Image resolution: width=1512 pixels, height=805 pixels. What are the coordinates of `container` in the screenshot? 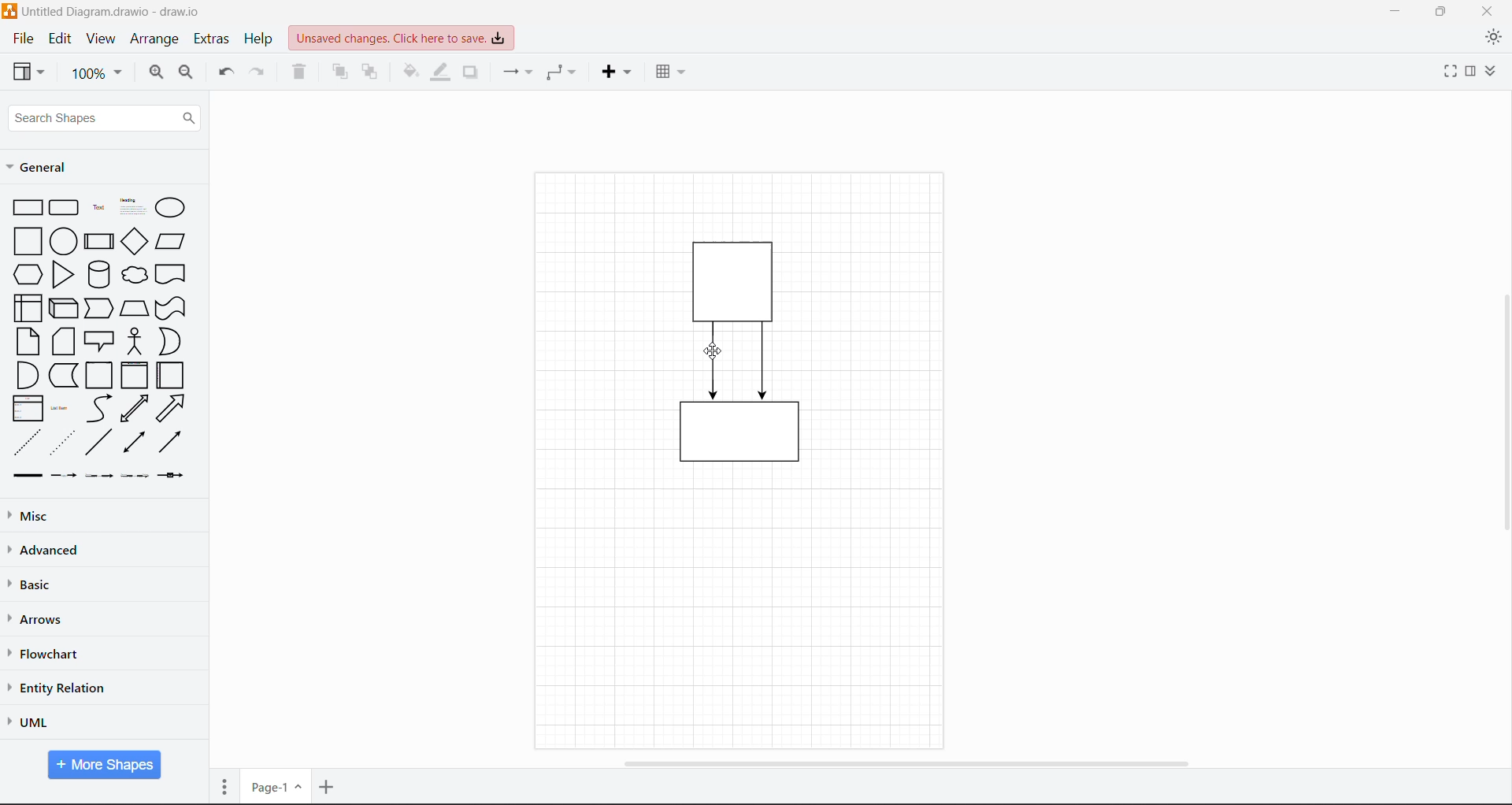 It's located at (737, 278).